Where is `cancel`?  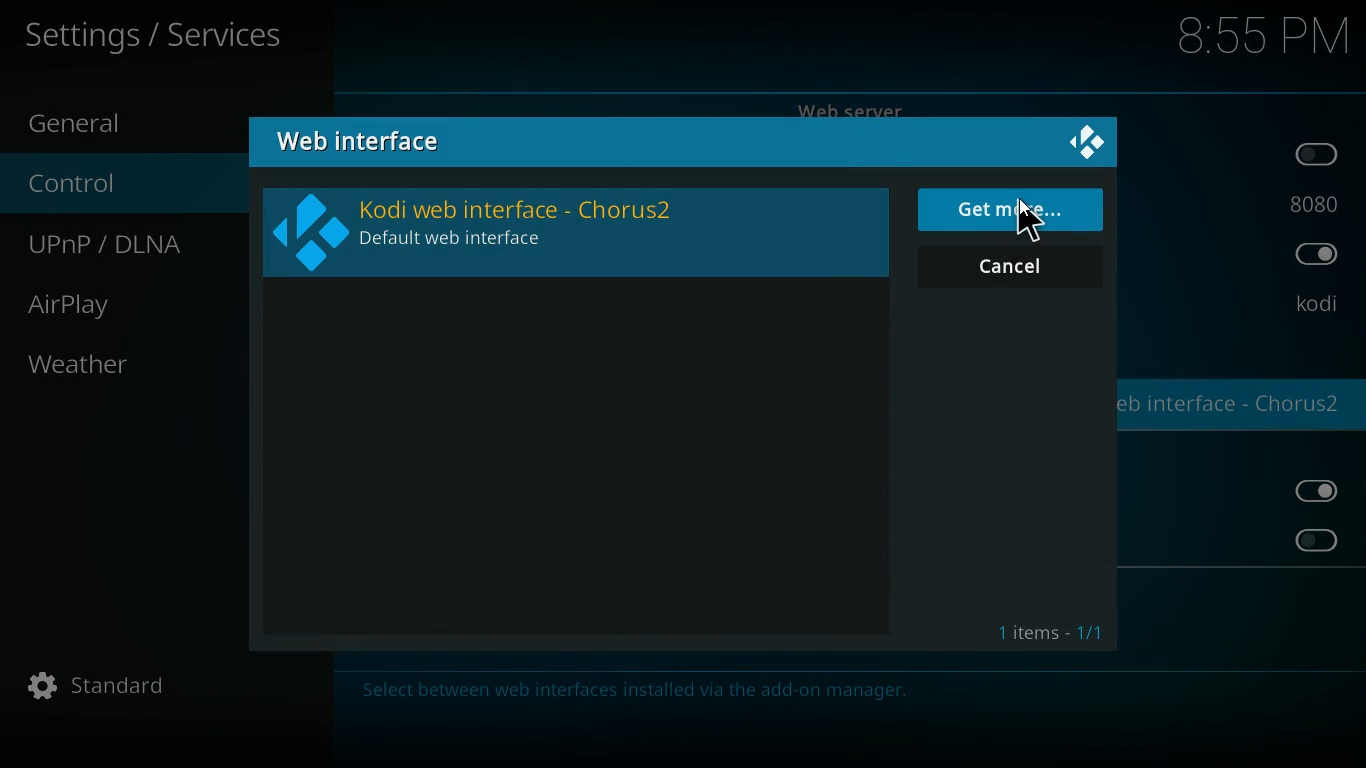 cancel is located at coordinates (1010, 267).